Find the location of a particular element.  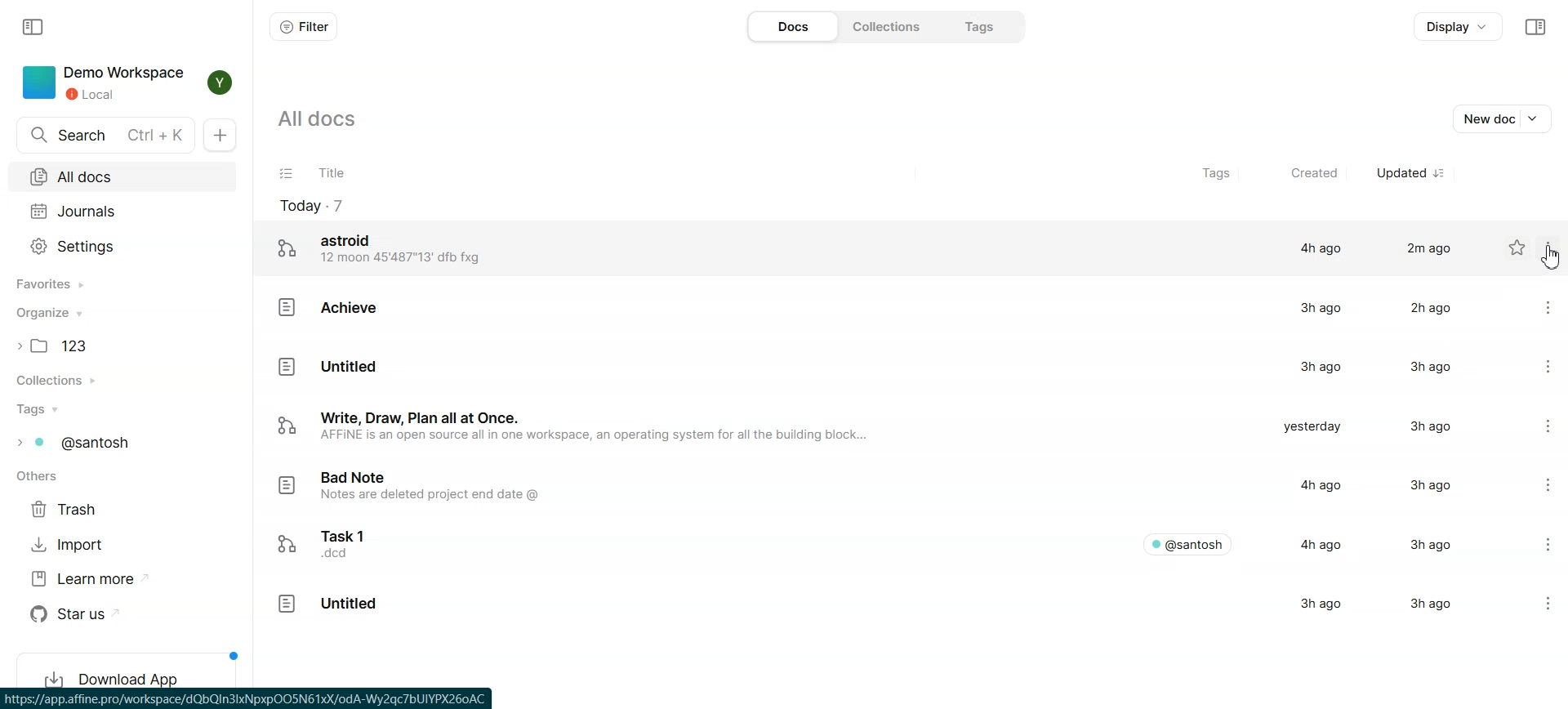

3hago is located at coordinates (1425, 367).